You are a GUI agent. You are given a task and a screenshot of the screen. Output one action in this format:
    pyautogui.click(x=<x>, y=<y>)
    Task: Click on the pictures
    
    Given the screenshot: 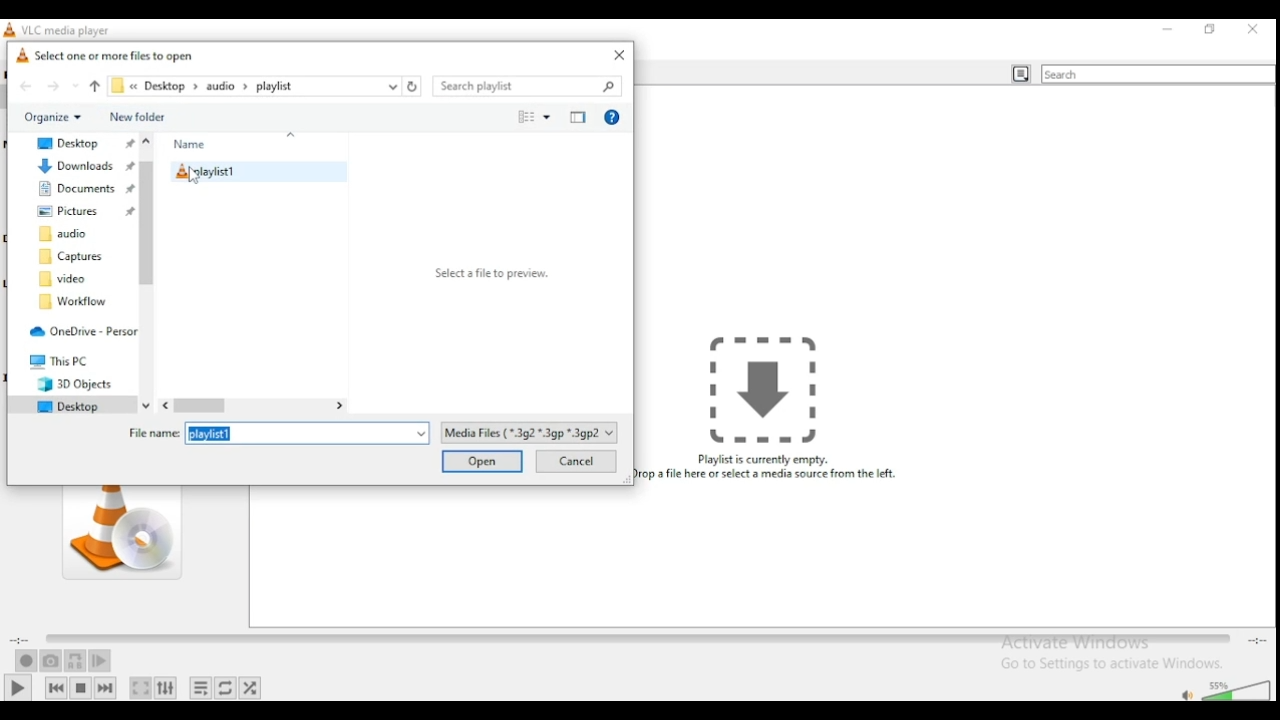 What is the action you would take?
    pyautogui.click(x=84, y=210)
    